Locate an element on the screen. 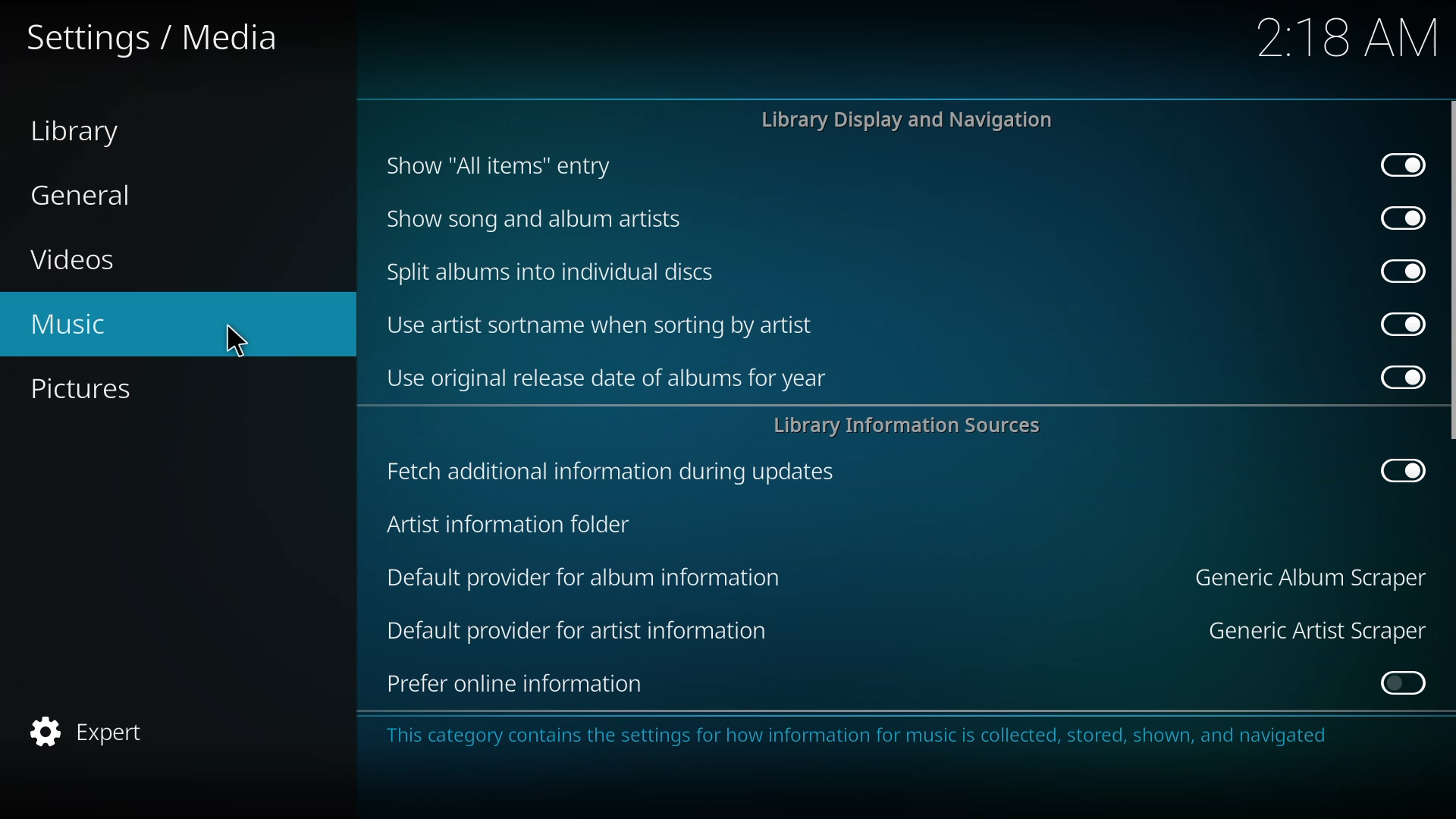  click to enable is located at coordinates (1398, 681).